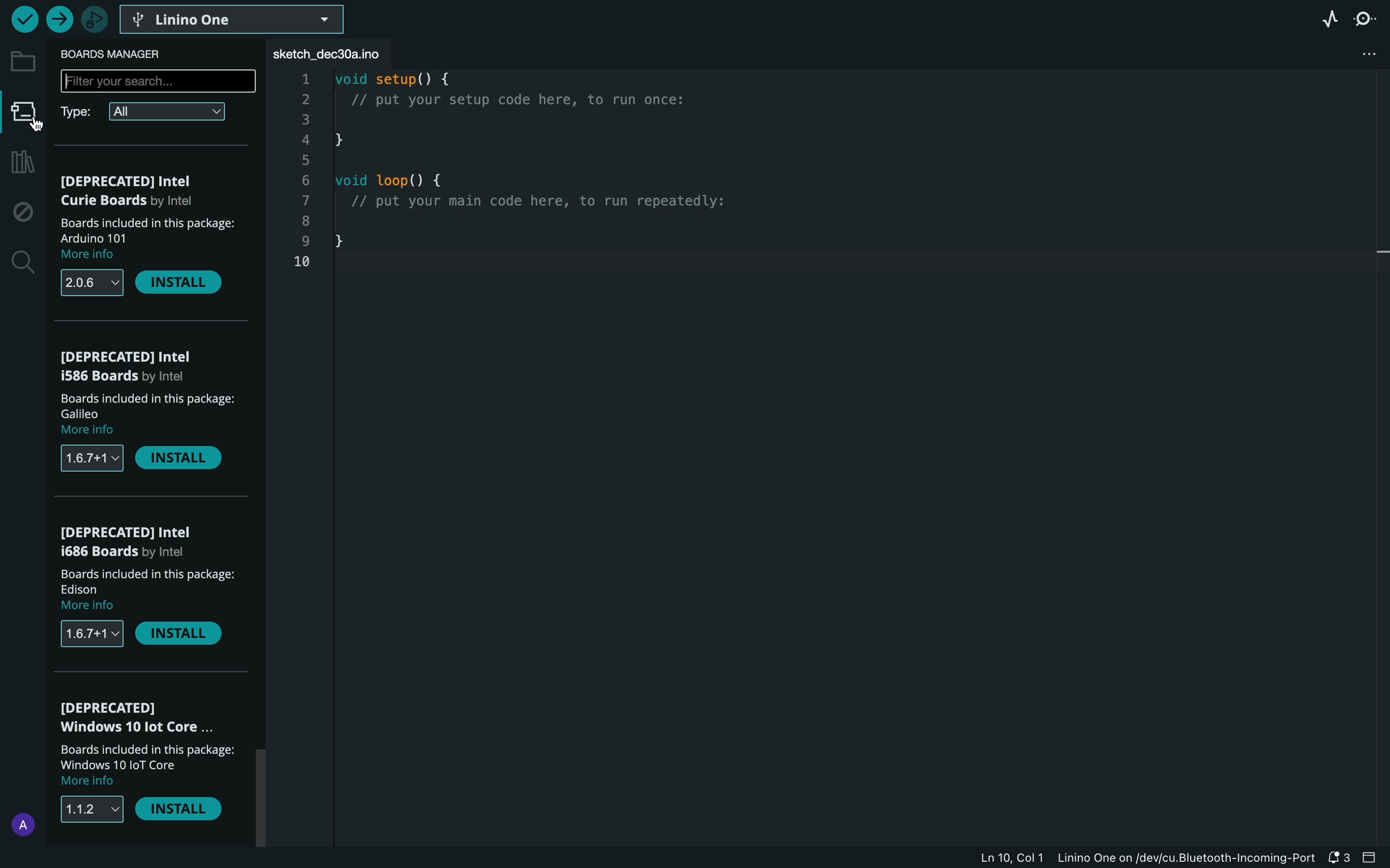 The width and height of the screenshot is (1390, 868). Describe the element at coordinates (92, 807) in the screenshot. I see `versions` at that location.